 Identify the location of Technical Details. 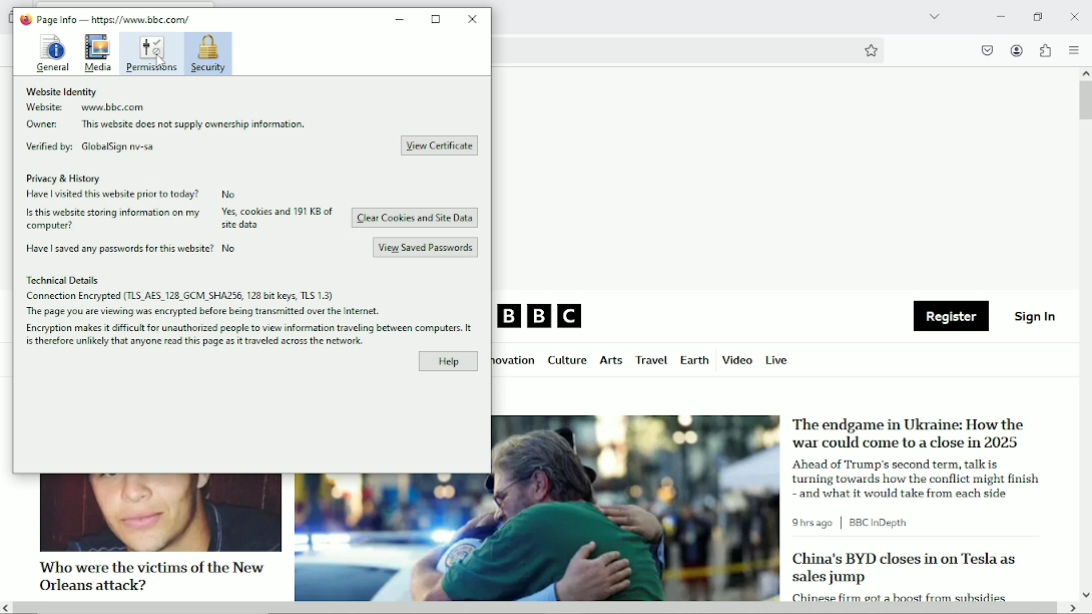
(68, 279).